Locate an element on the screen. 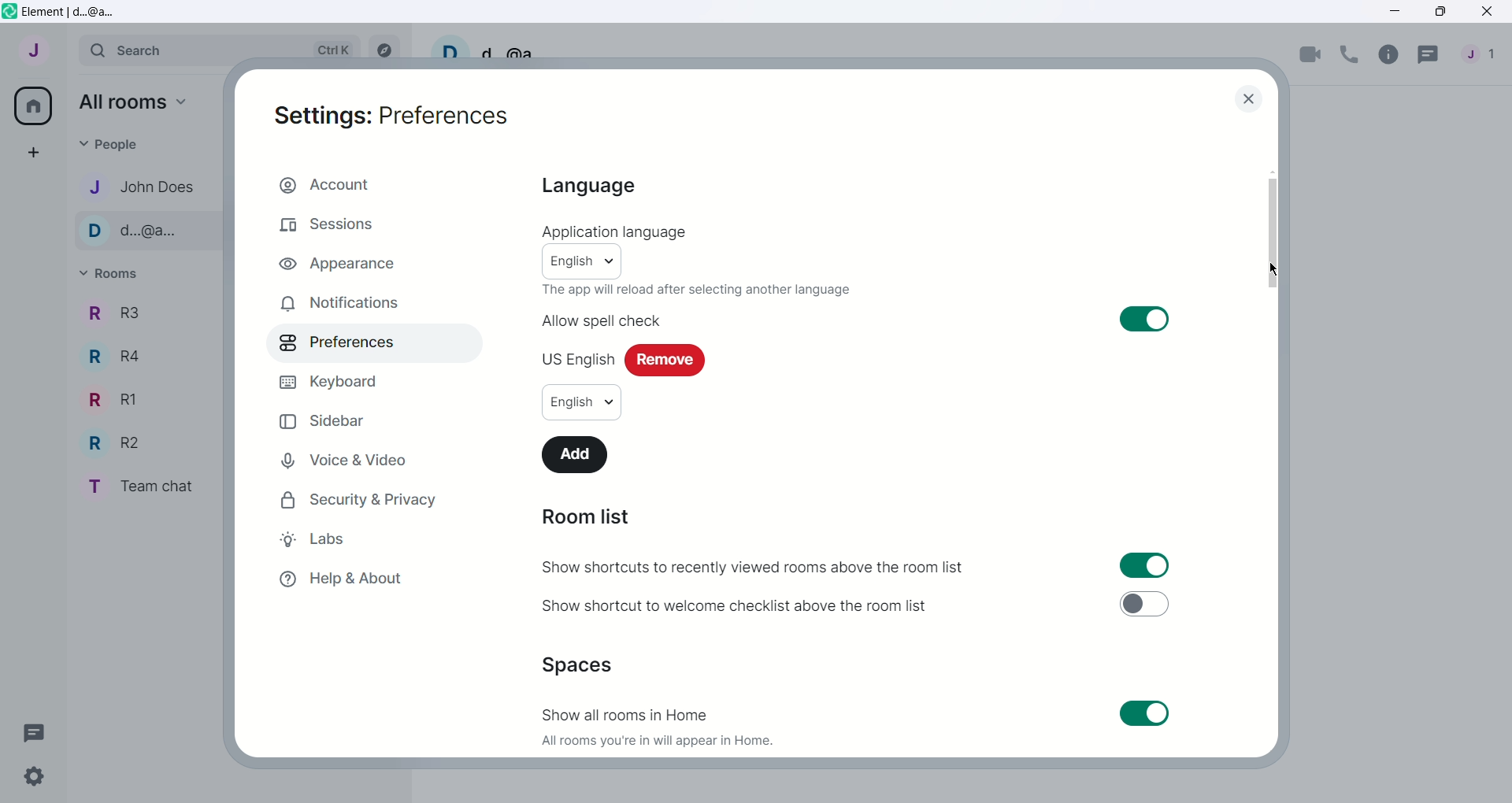 Image resolution: width=1512 pixels, height=803 pixels. Sessions is located at coordinates (369, 226).